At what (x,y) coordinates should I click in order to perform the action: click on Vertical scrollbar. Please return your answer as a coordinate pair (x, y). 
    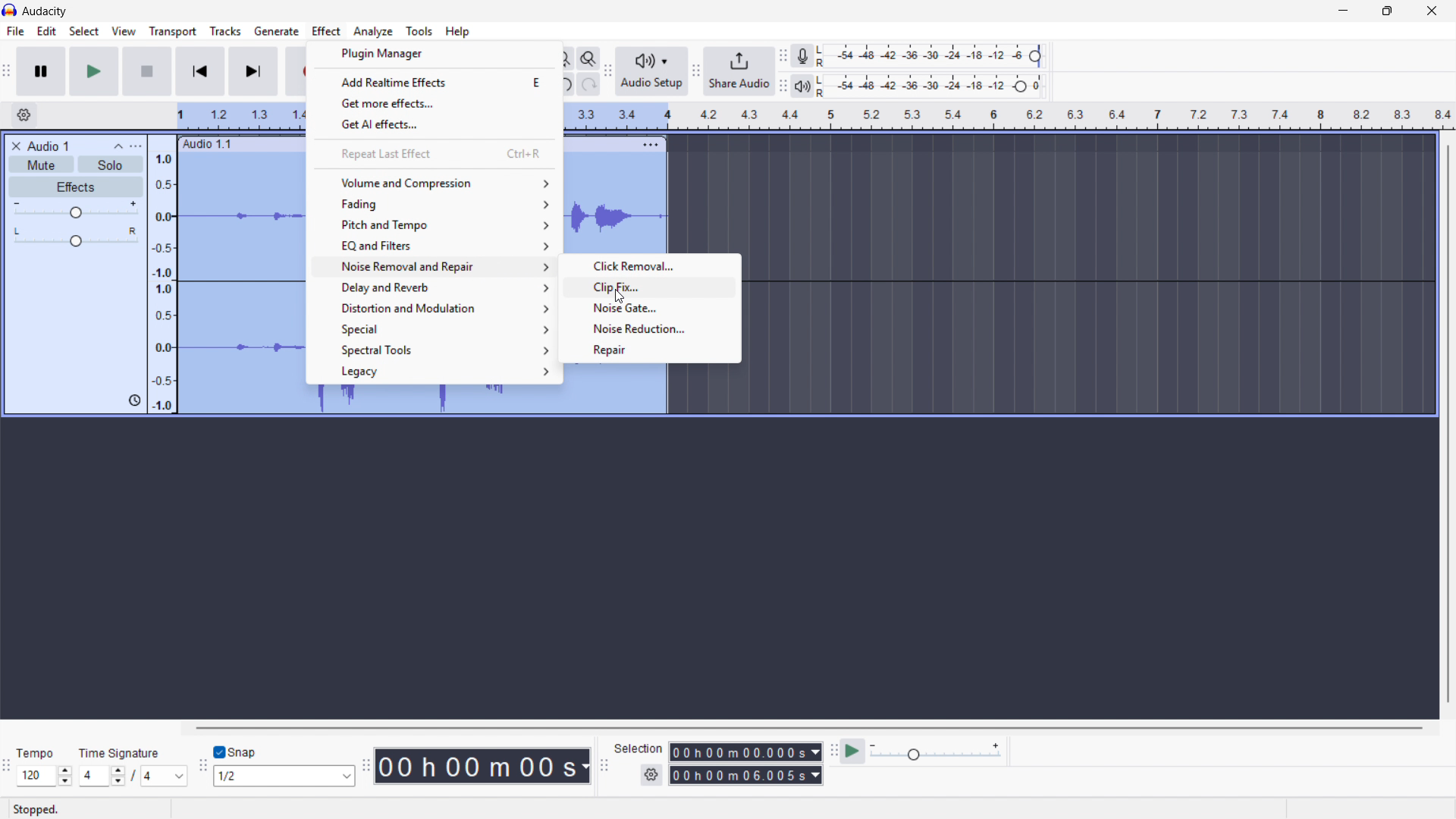
    Looking at the image, I should click on (1448, 424).